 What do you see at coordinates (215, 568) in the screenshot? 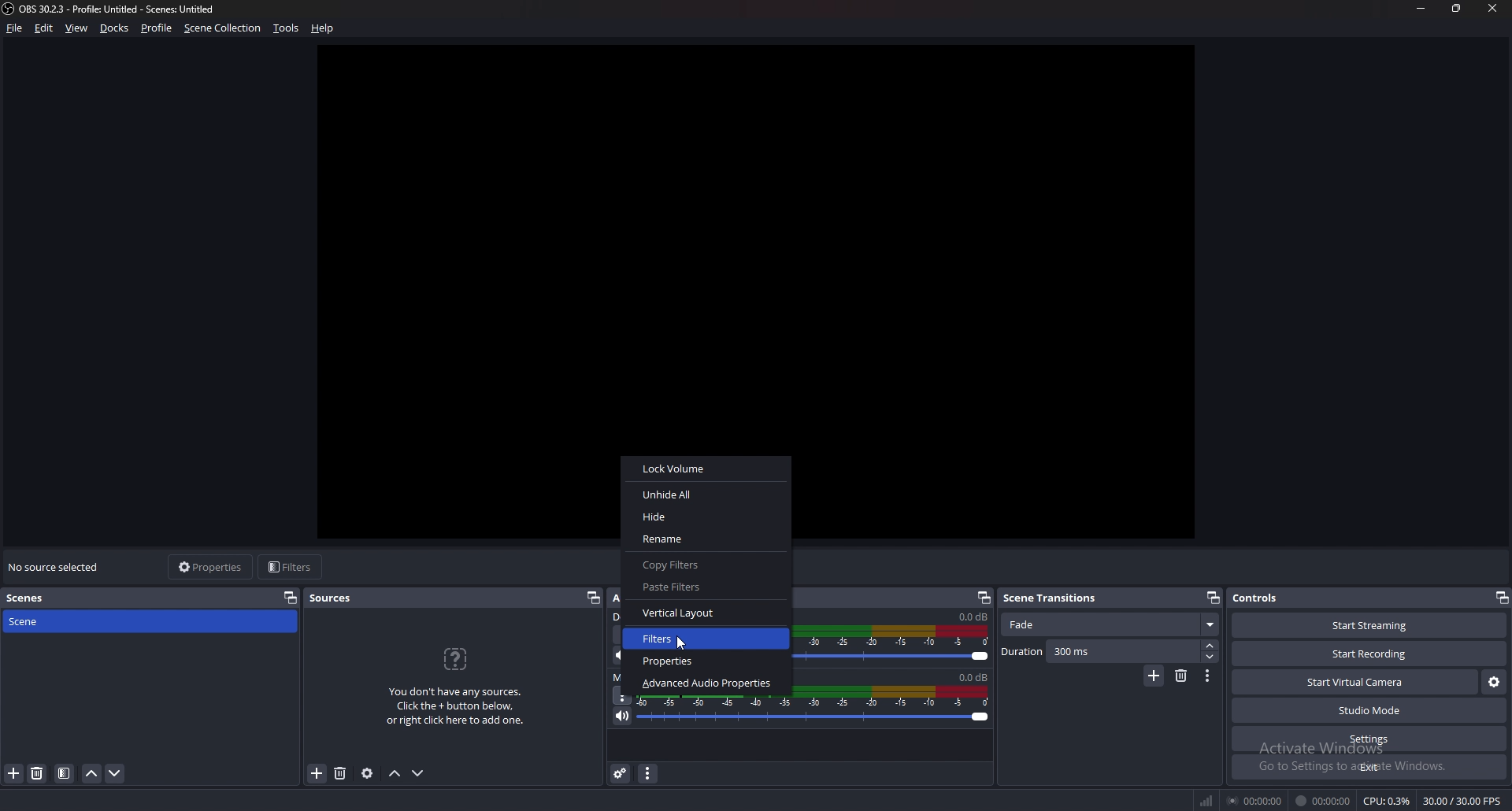
I see `properties` at bounding box center [215, 568].